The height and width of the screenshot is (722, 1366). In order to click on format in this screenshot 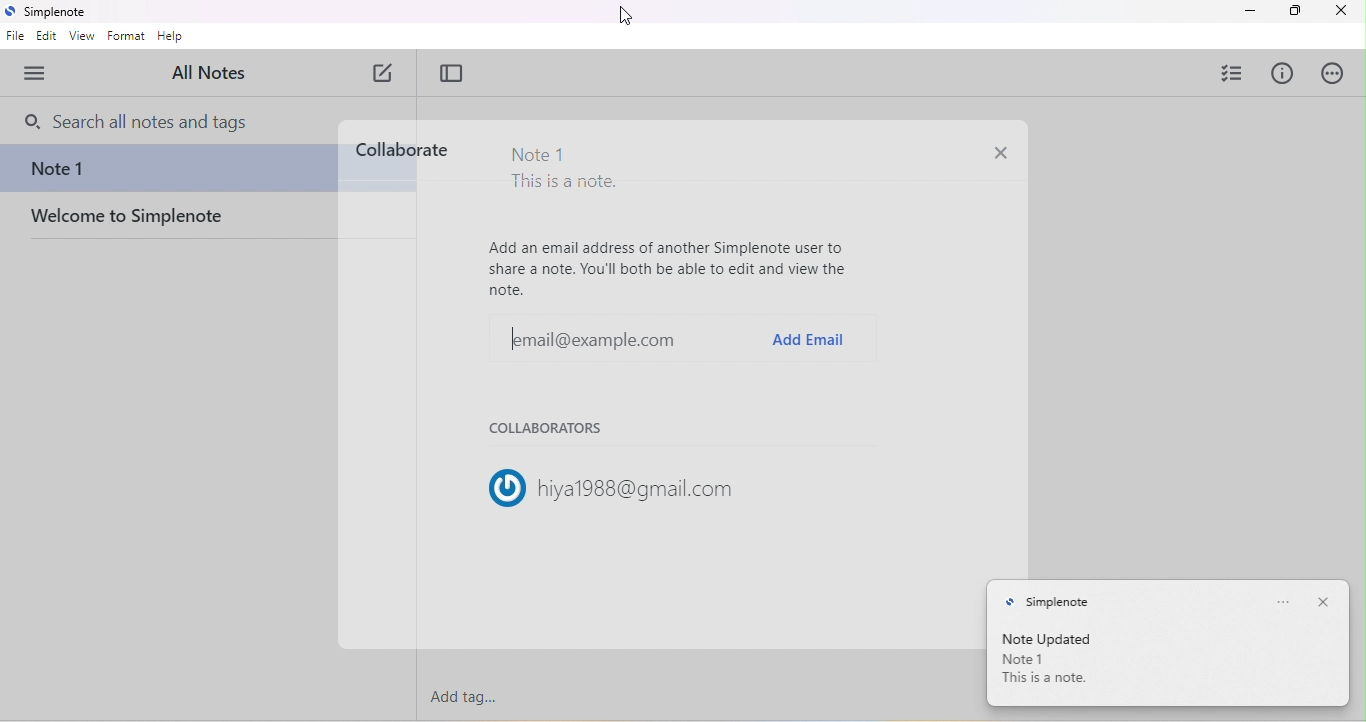, I will do `click(126, 36)`.